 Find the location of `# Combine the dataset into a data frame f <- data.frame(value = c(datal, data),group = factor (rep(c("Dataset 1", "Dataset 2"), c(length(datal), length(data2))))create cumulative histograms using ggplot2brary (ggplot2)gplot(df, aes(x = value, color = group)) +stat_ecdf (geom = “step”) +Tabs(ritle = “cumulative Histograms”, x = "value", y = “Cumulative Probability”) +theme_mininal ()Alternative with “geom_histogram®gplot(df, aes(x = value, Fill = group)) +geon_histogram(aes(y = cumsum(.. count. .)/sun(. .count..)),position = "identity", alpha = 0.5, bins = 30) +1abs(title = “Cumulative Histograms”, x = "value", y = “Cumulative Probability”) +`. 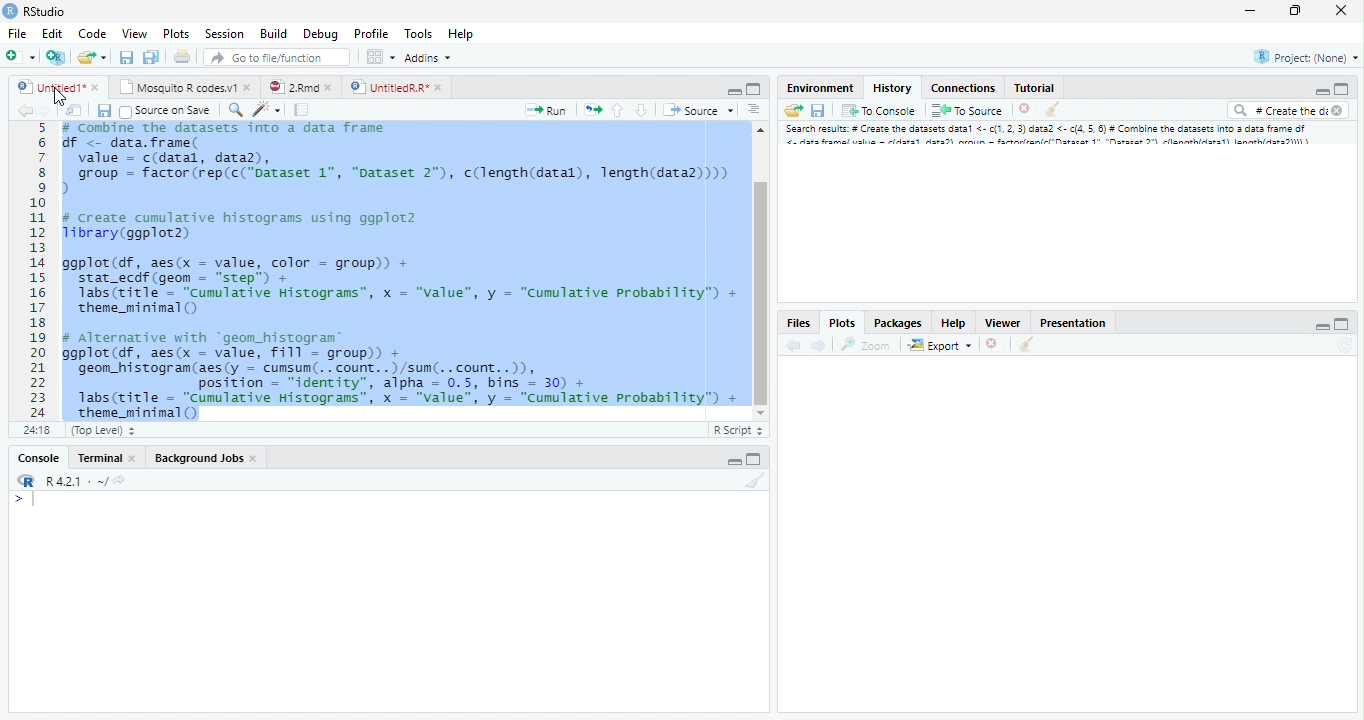

# Combine the dataset into a data frame f <- data.frame(value = c(datal, data),group = factor (rep(c("Dataset 1", "Dataset 2"), c(length(datal), length(data2))))create cumulative histograms using ggplot2brary (ggplot2)gplot(df, aes(x = value, color = group)) +stat_ecdf (geom = “step”) +Tabs(ritle = “cumulative Histograms”, x = "value", y = “Cumulative Probability”) +theme_mininal ()Alternative with “geom_histogram®gplot(df, aes(x = value, Fill = group)) +geon_histogram(aes(y = cumsum(.. count. .)/sun(. .count..)),position = "identity", alpha = 0.5, bins = 30) +1abs(title = “Cumulative Histograms”, x = "value", y = “Cumulative Probability”) + is located at coordinates (401, 271).